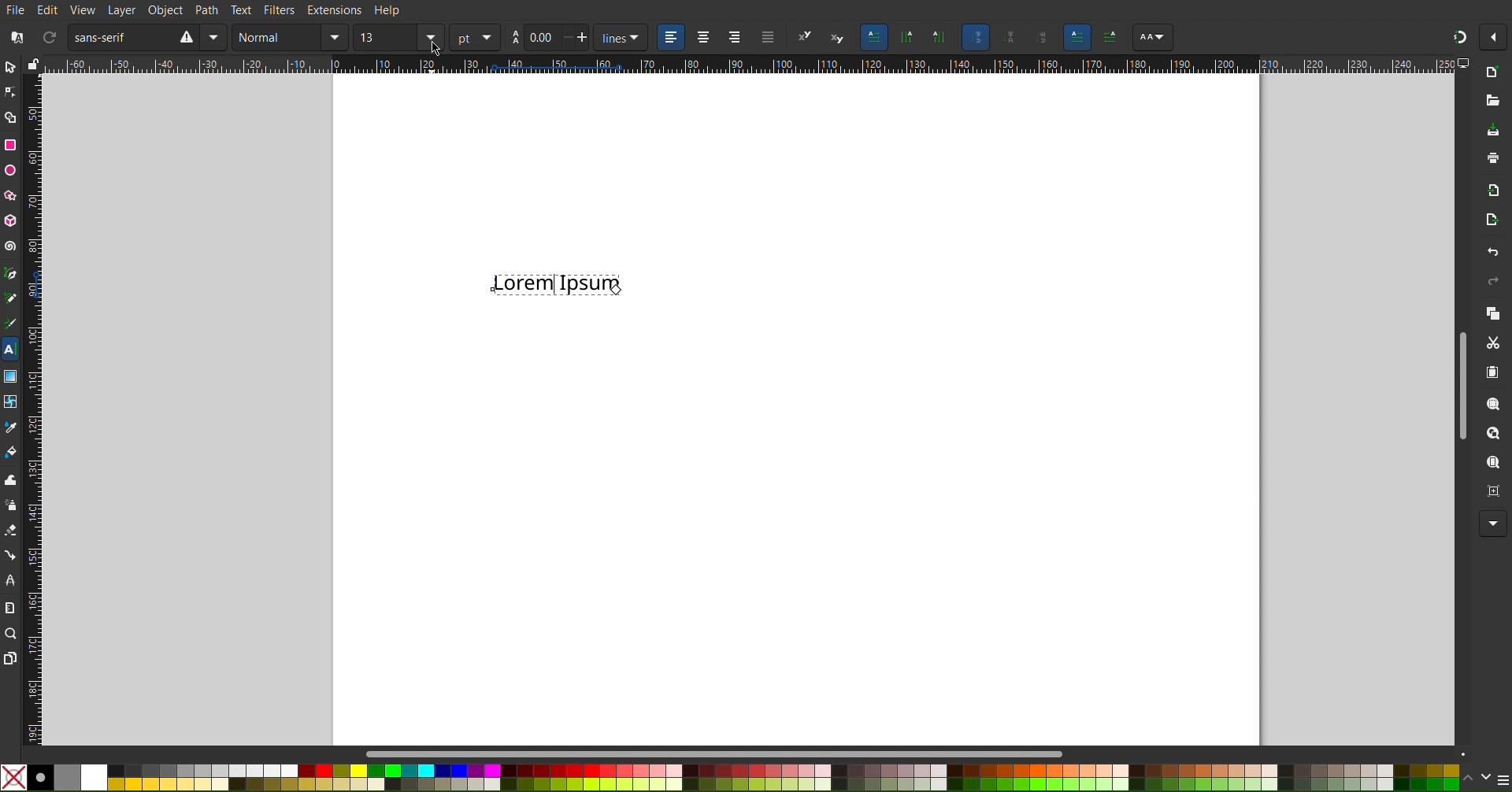 Image resolution: width=1512 pixels, height=792 pixels. I want to click on size, so click(386, 37).